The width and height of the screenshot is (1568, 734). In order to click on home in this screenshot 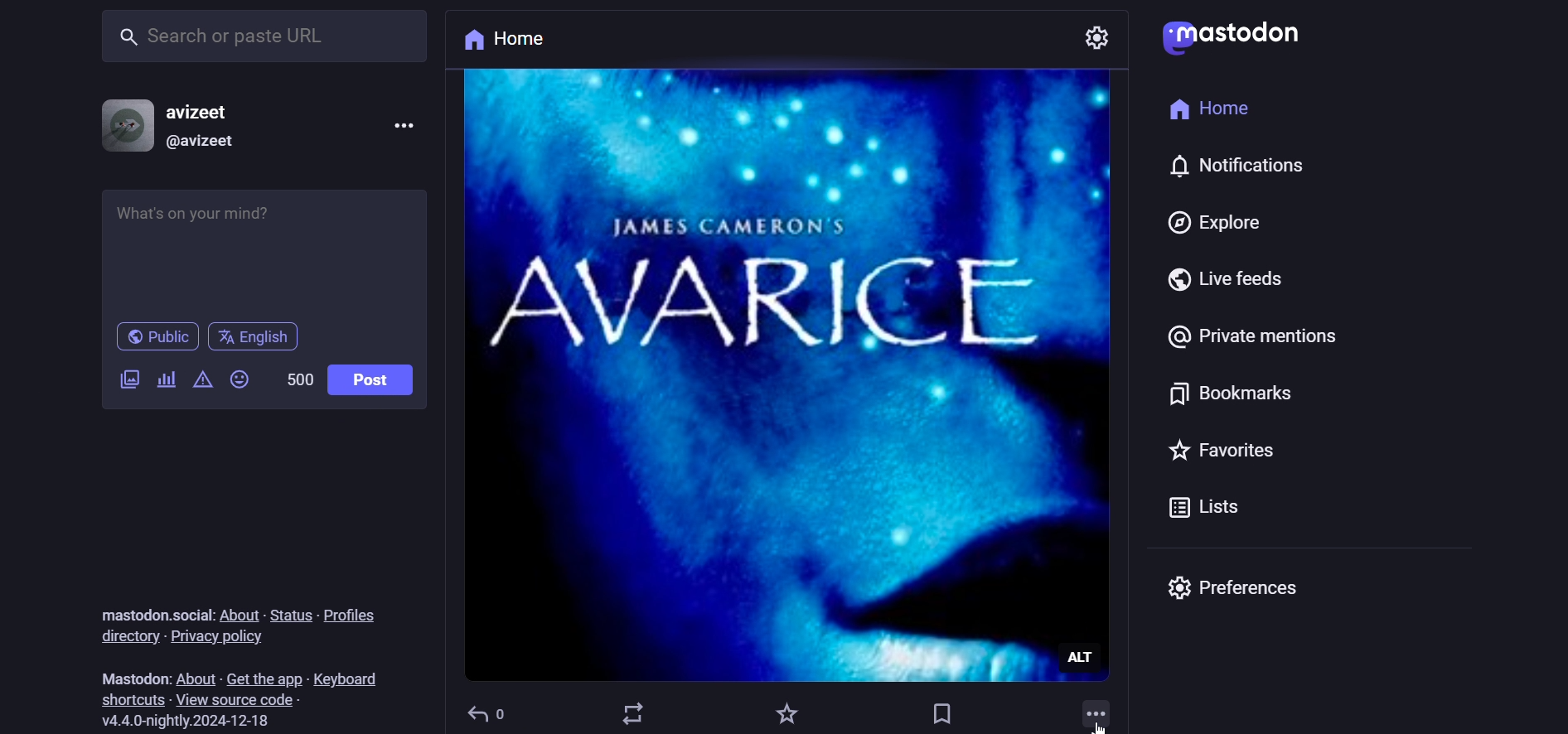, I will do `click(514, 41)`.